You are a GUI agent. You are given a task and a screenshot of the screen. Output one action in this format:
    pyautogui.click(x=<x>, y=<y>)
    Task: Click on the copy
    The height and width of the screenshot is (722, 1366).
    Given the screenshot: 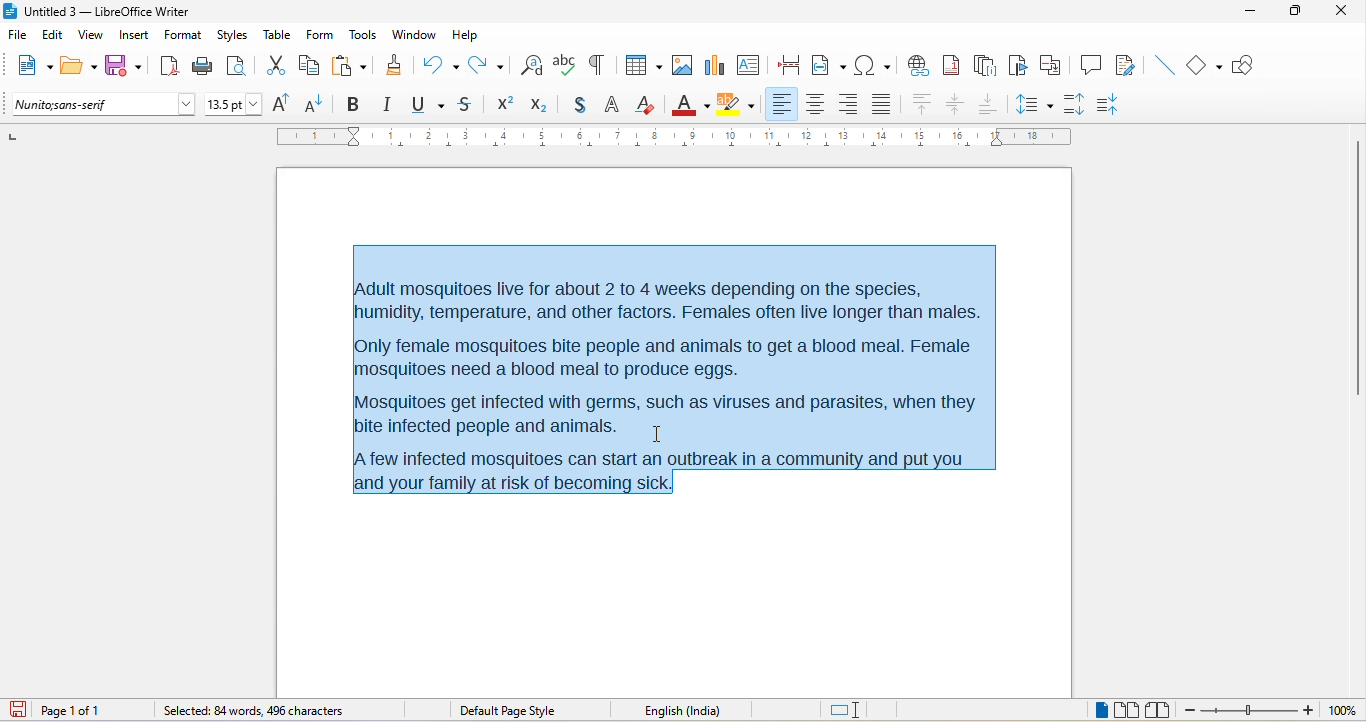 What is the action you would take?
    pyautogui.click(x=310, y=67)
    